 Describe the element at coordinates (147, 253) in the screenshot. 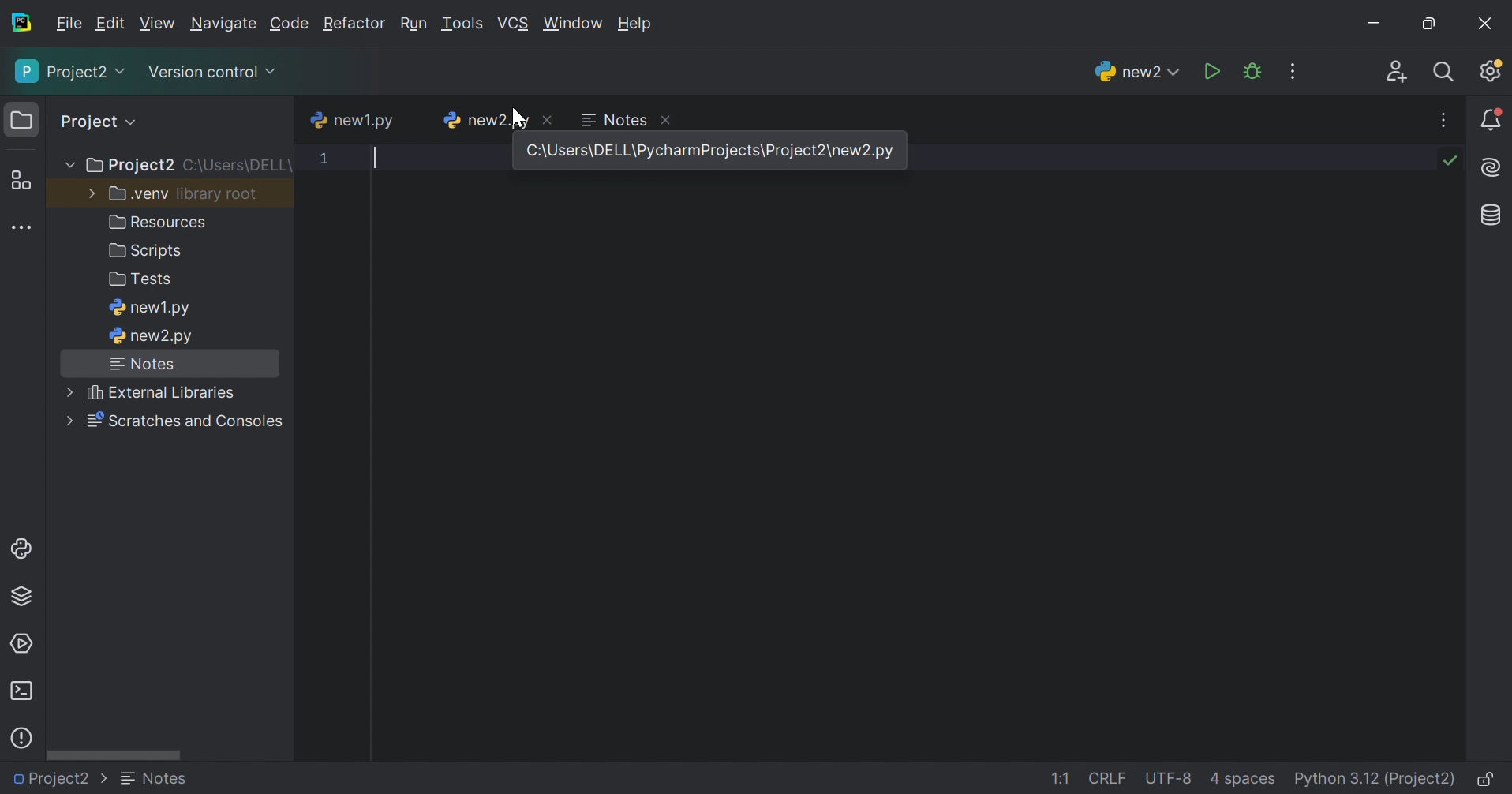

I see `Scripts` at that location.